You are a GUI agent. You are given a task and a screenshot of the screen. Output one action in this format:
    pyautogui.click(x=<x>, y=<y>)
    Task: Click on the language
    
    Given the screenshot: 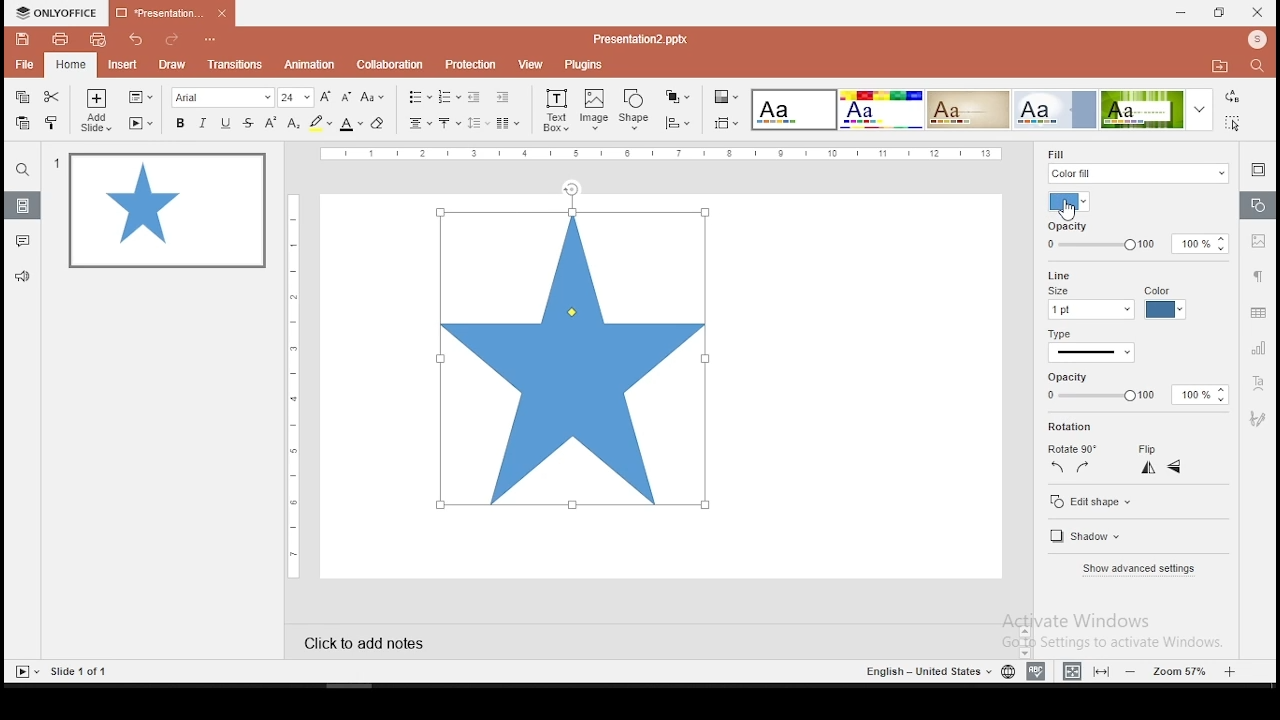 What is the action you would take?
    pyautogui.click(x=1008, y=674)
    